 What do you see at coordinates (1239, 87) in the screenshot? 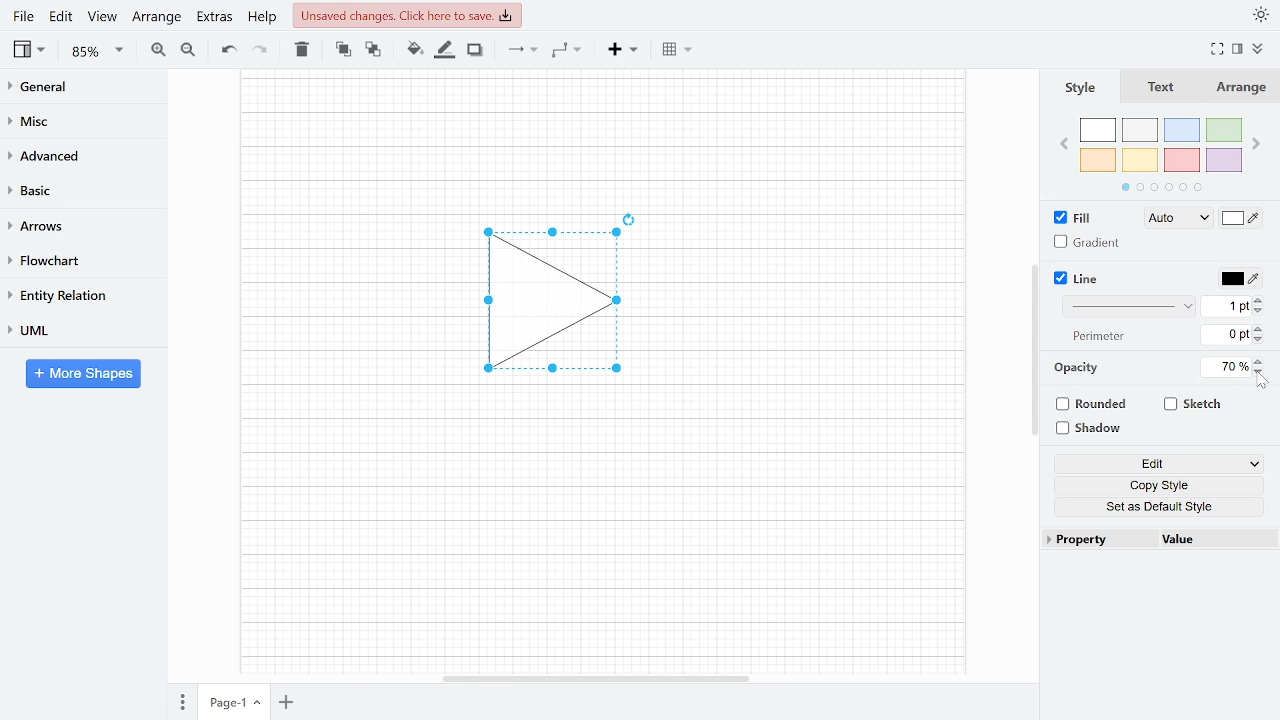
I see `Arrange` at bounding box center [1239, 87].